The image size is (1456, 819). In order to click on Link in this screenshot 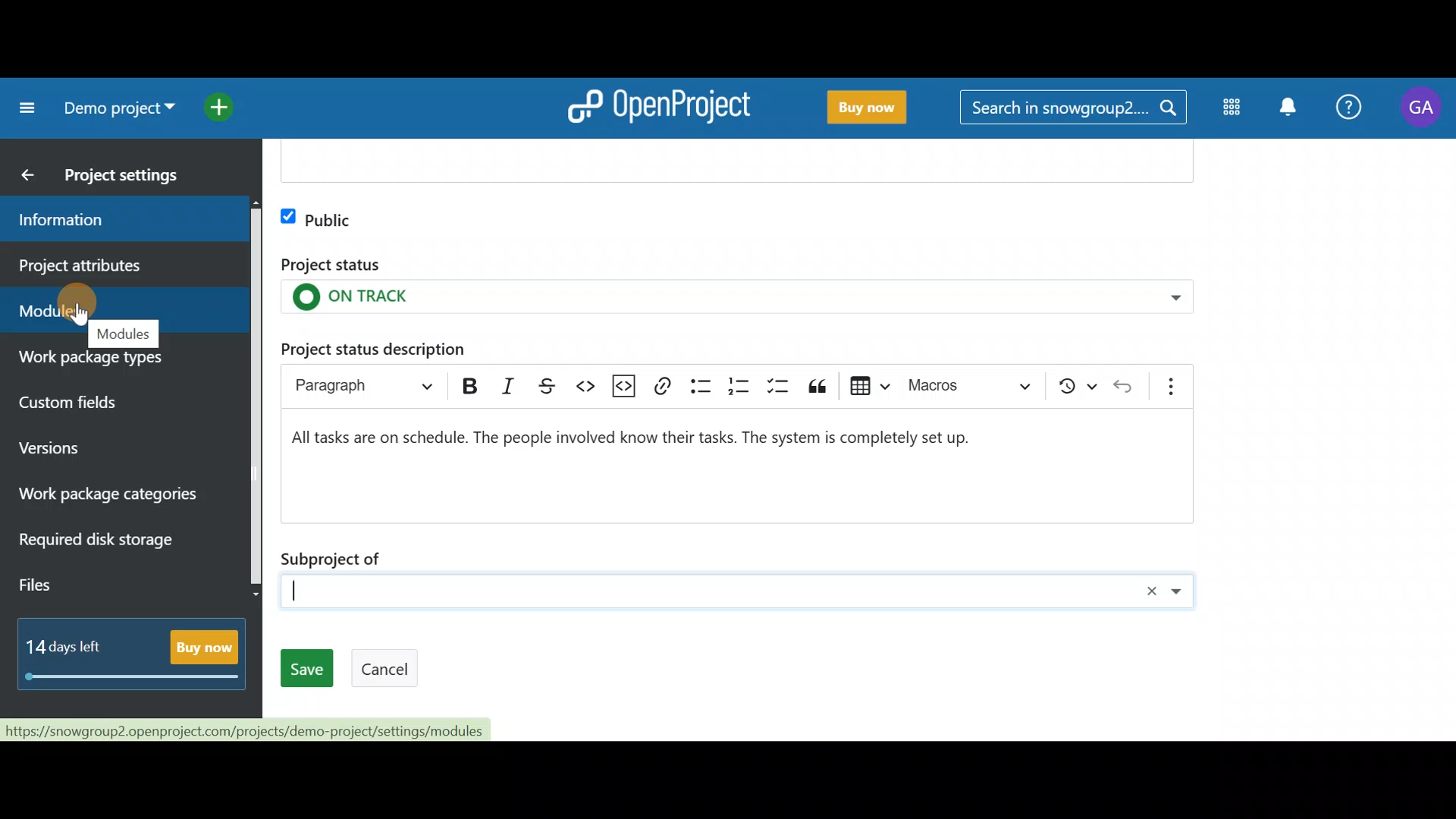, I will do `click(669, 386)`.